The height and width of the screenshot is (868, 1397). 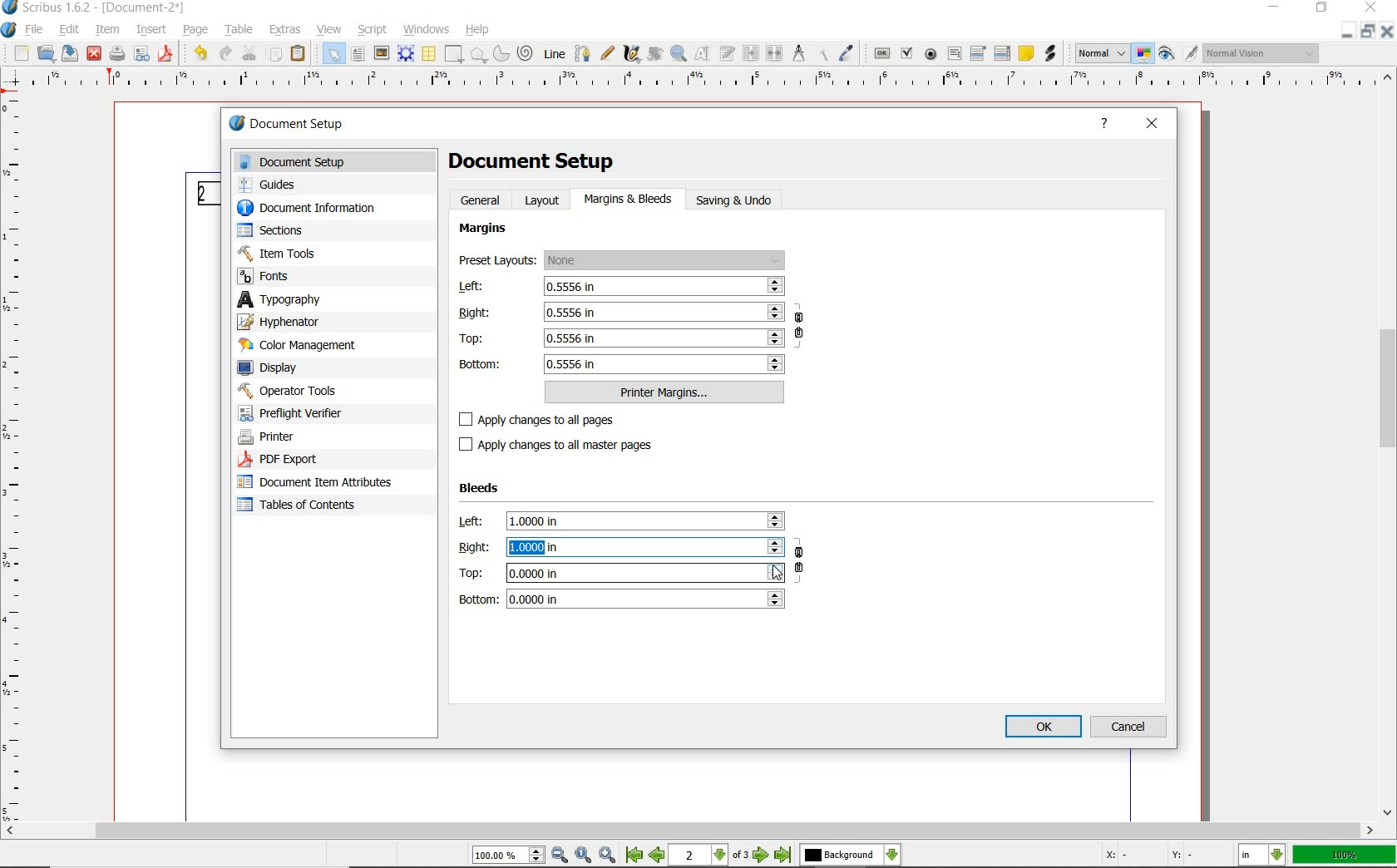 What do you see at coordinates (583, 53) in the screenshot?
I see `Bezier curve` at bounding box center [583, 53].